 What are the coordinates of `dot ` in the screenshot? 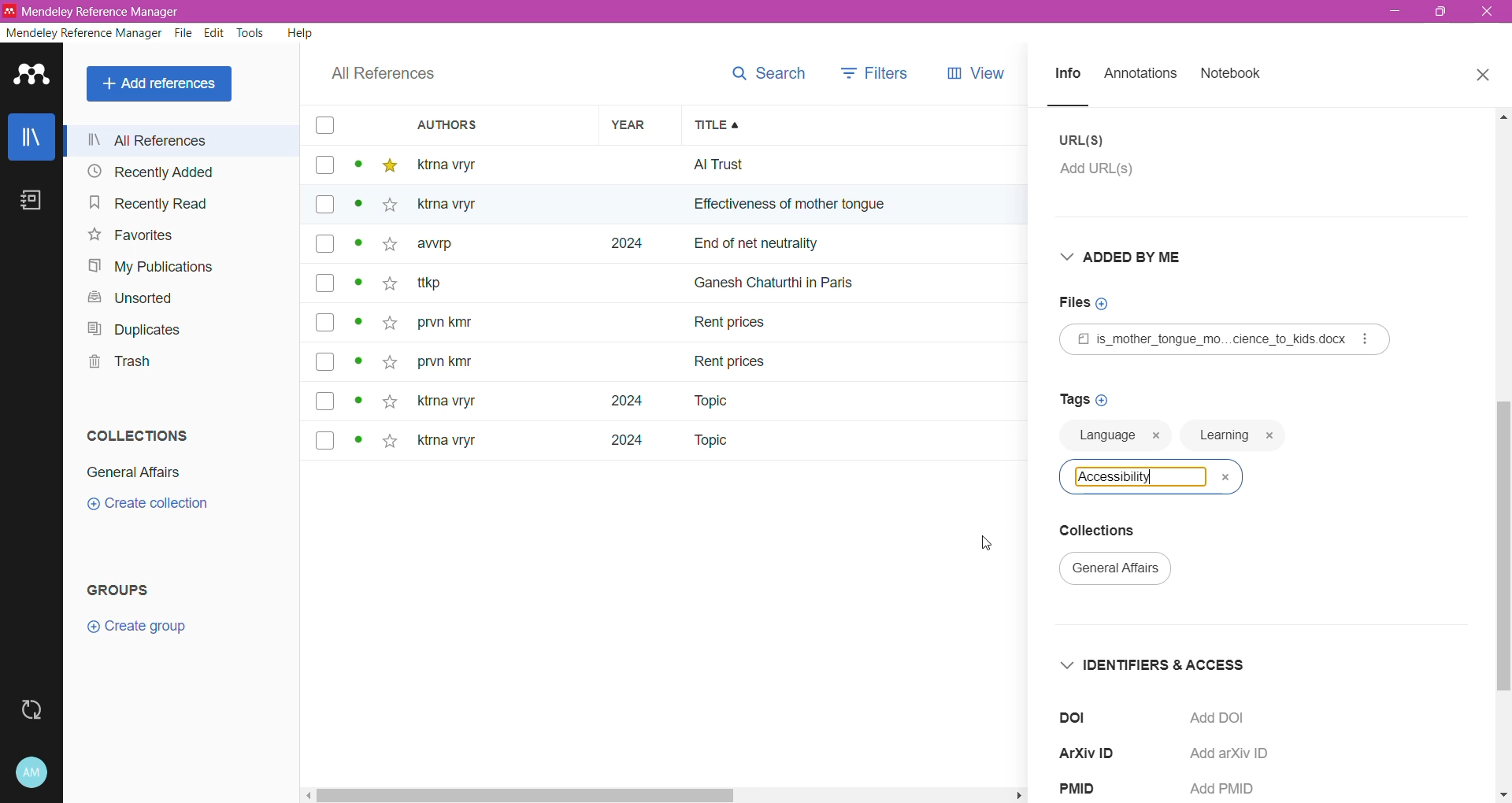 It's located at (360, 287).